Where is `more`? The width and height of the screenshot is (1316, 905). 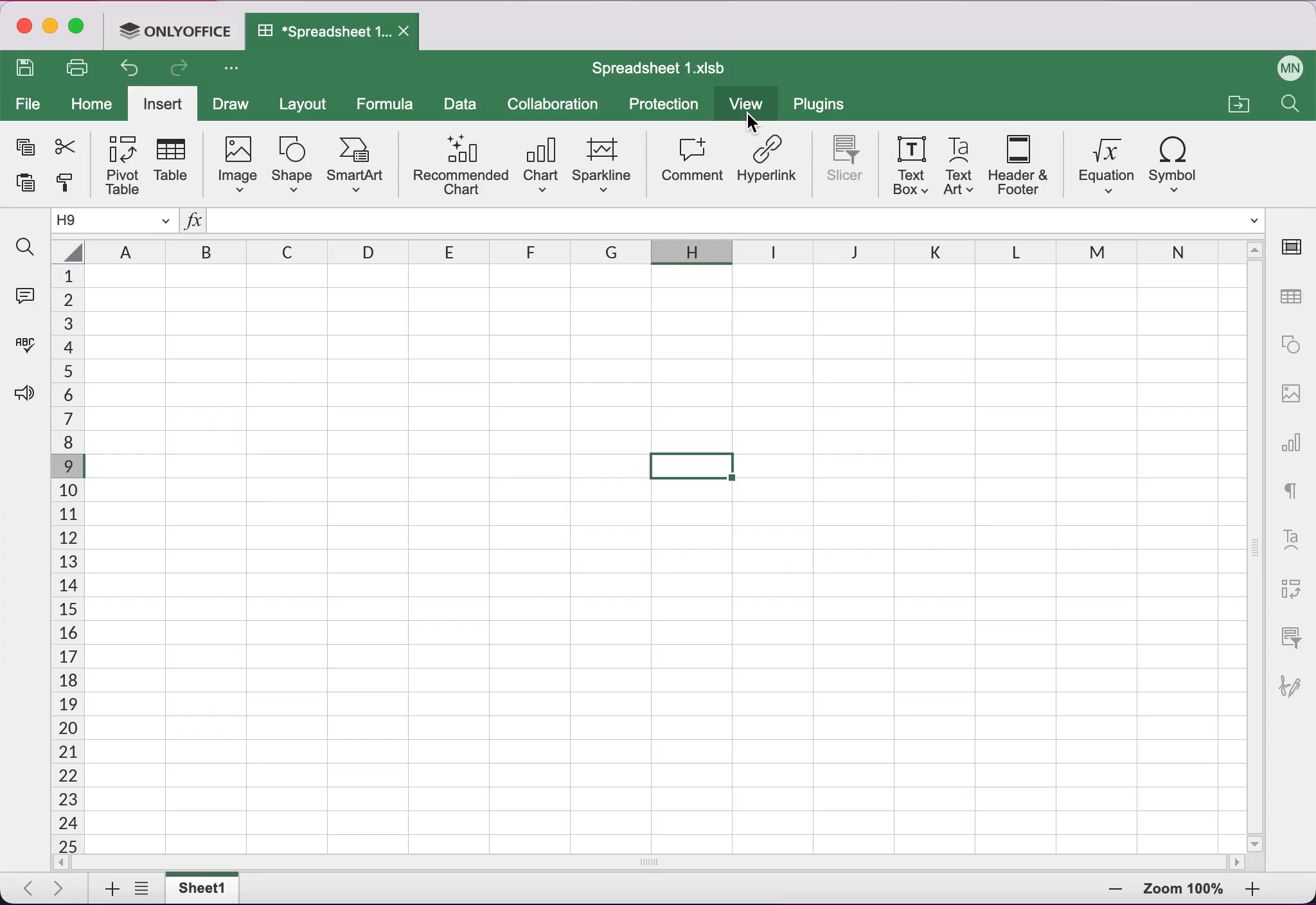 more is located at coordinates (229, 70).